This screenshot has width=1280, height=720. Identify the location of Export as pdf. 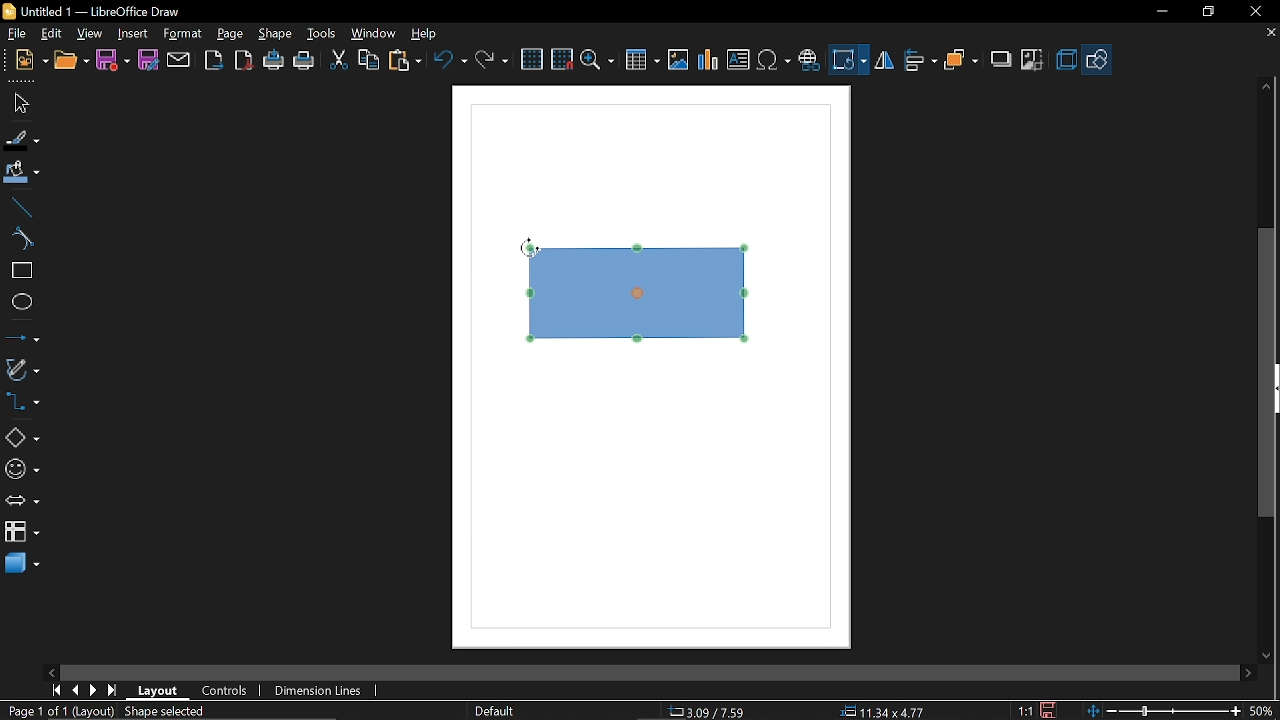
(245, 61).